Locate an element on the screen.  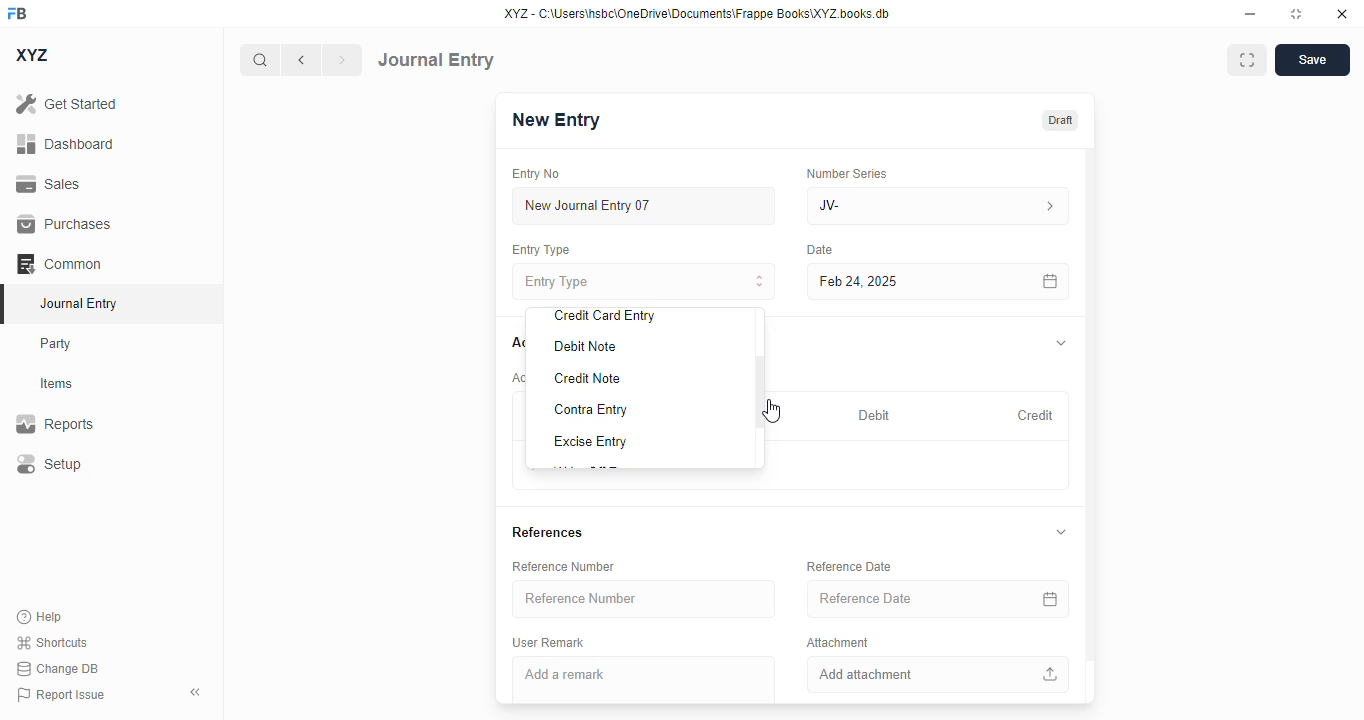
entry no is located at coordinates (537, 173).